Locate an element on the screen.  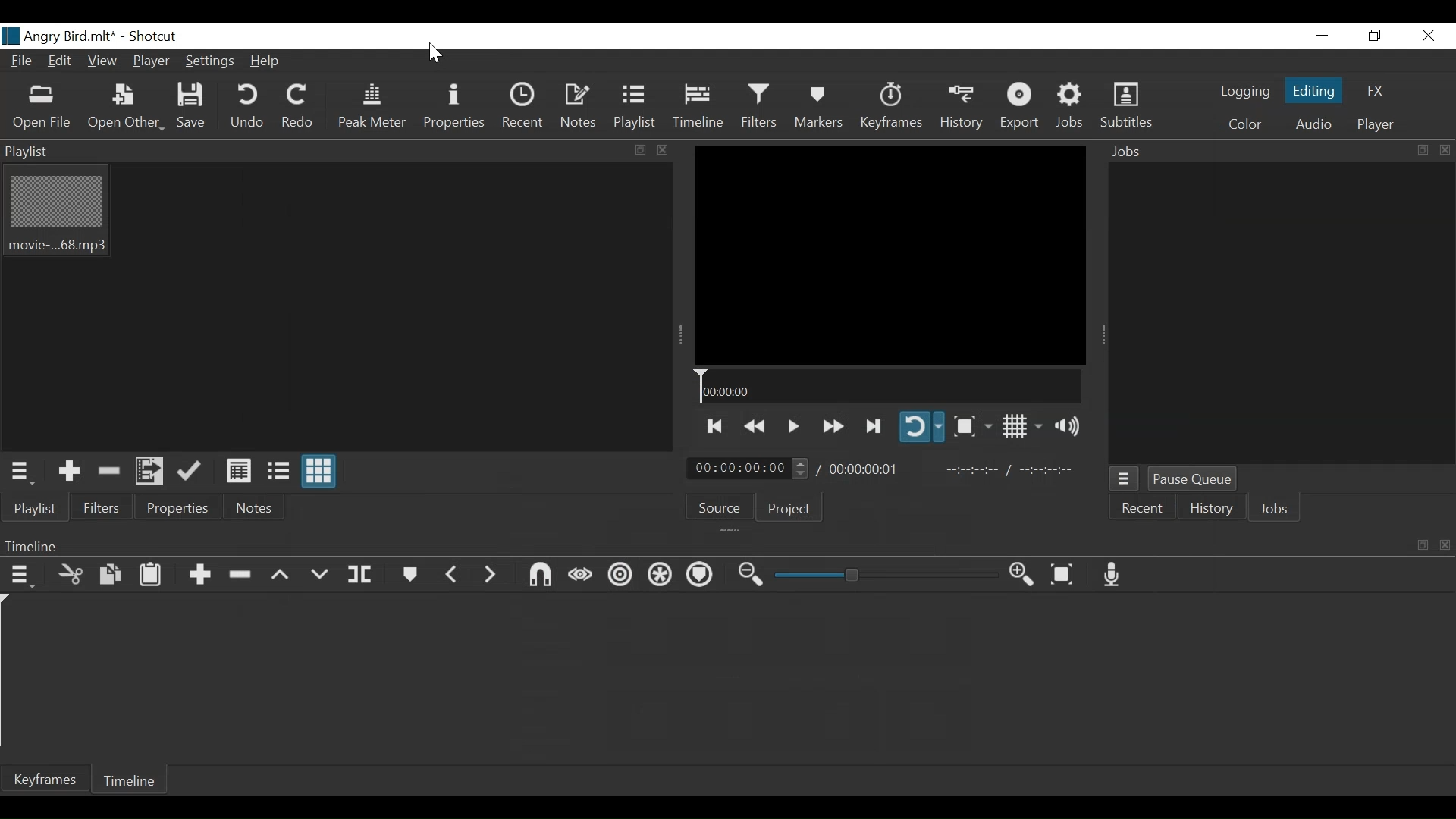
Ripple all tracks is located at coordinates (661, 576).